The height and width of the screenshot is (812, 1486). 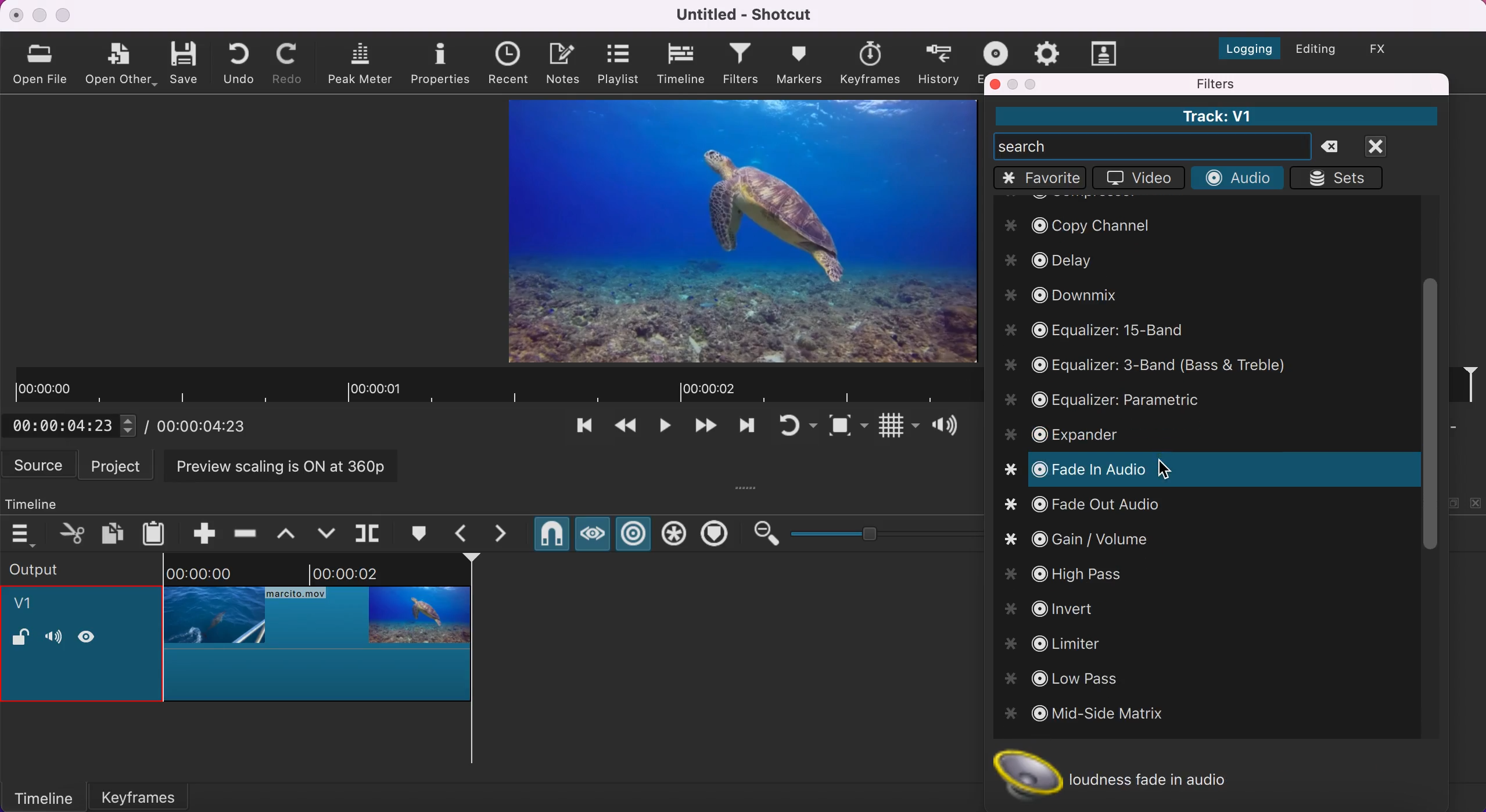 What do you see at coordinates (1165, 468) in the screenshot?
I see `cursor` at bounding box center [1165, 468].